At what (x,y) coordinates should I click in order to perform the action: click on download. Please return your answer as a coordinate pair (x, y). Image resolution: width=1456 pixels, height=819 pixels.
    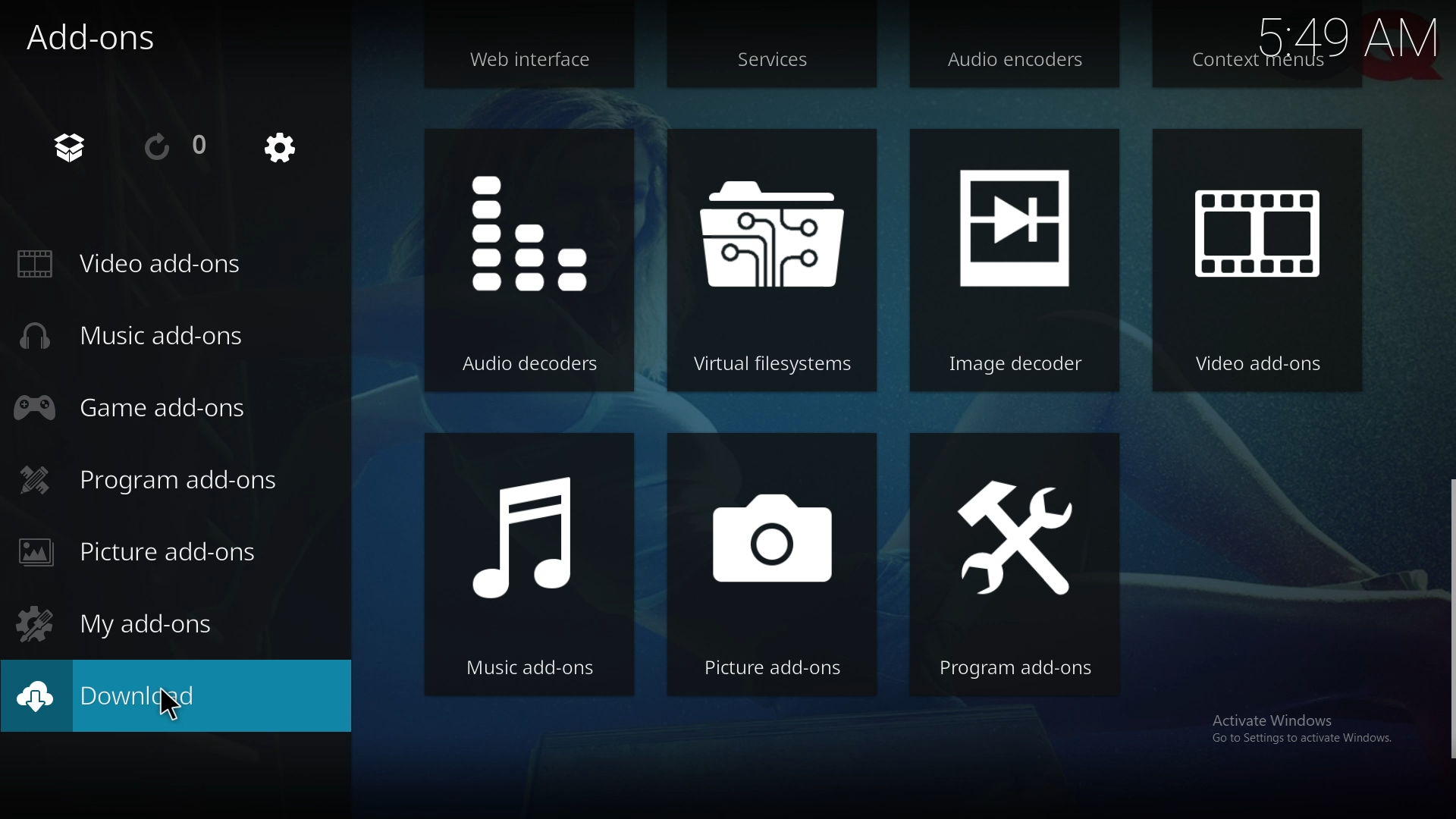
    Looking at the image, I should click on (139, 696).